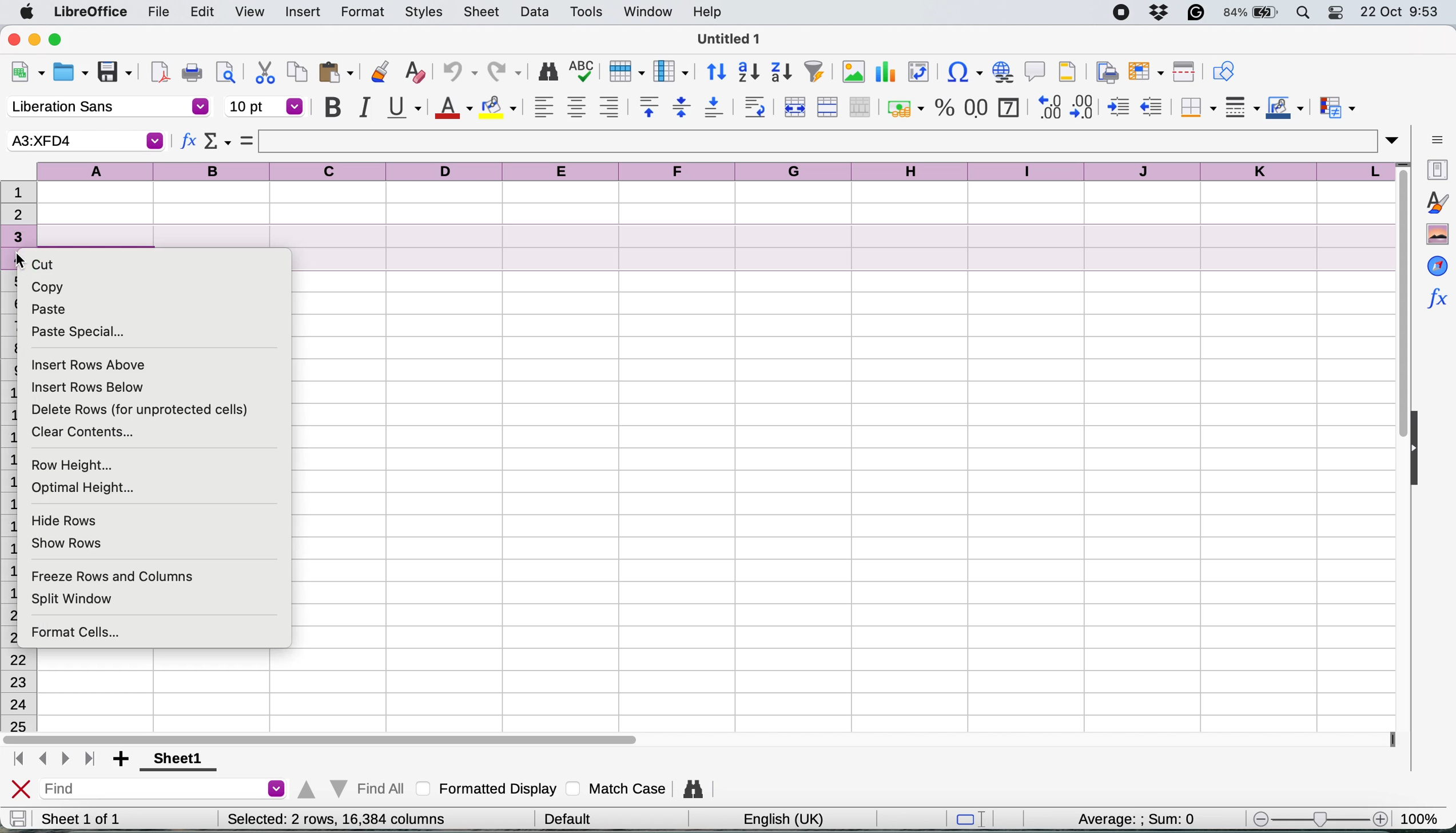 The image size is (1456, 833). Describe the element at coordinates (544, 106) in the screenshot. I see `align left` at that location.